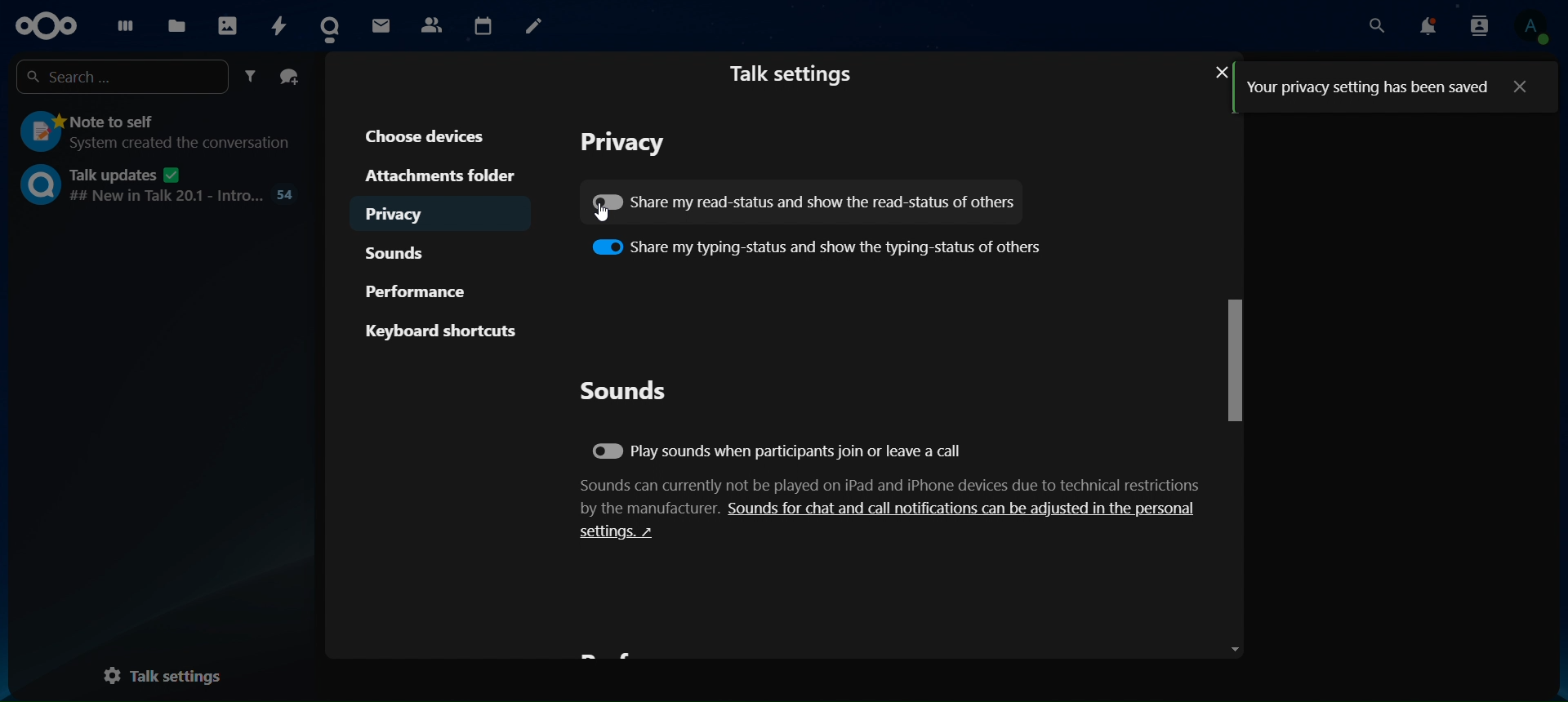 This screenshot has height=702, width=1568. Describe the element at coordinates (383, 24) in the screenshot. I see `mail` at that location.